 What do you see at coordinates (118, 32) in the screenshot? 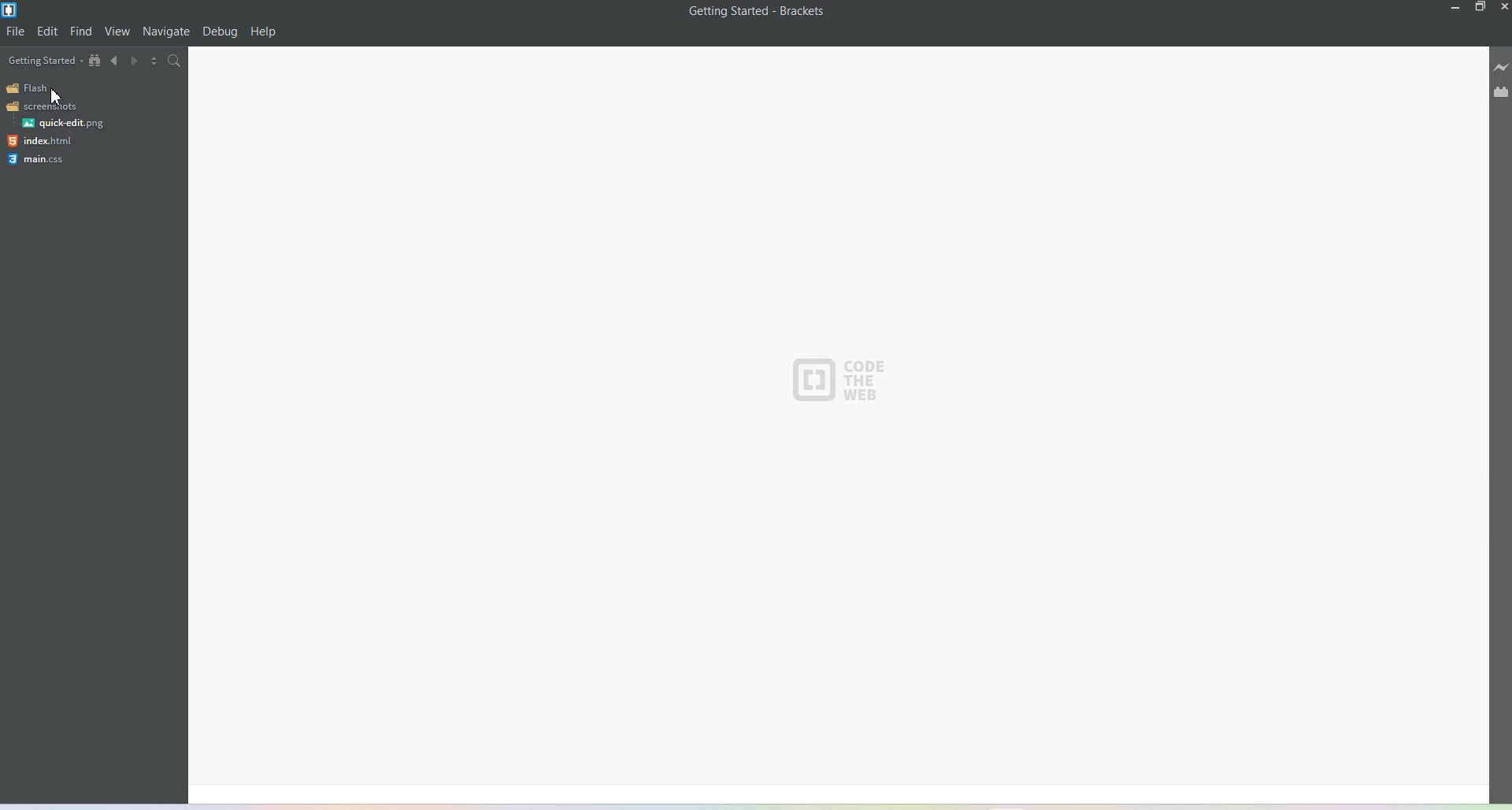
I see `View` at bounding box center [118, 32].